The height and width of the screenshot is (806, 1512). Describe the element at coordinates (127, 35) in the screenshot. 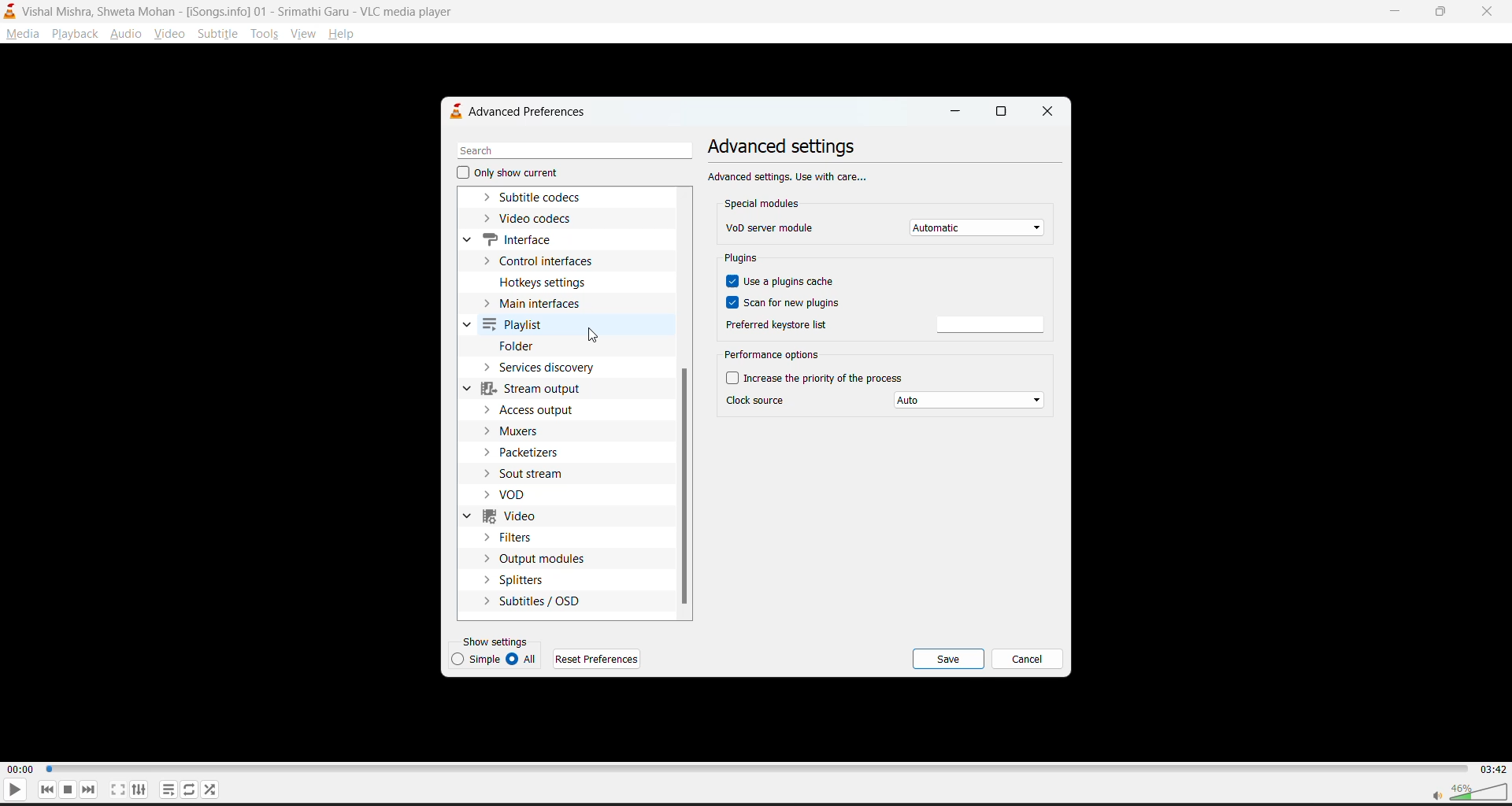

I see `audio` at that location.